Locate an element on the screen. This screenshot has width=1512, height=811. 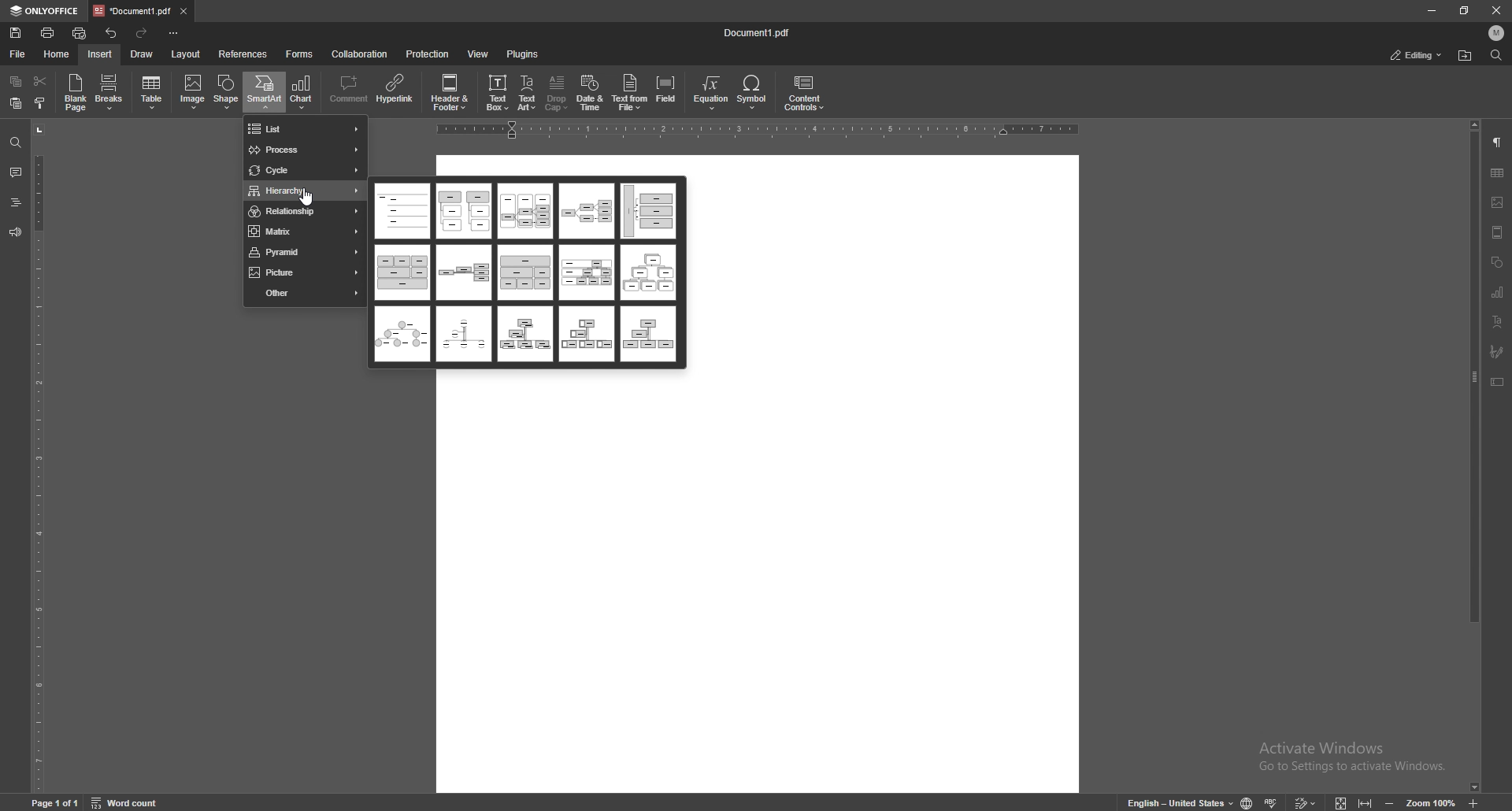
matrix is located at coordinates (303, 231).